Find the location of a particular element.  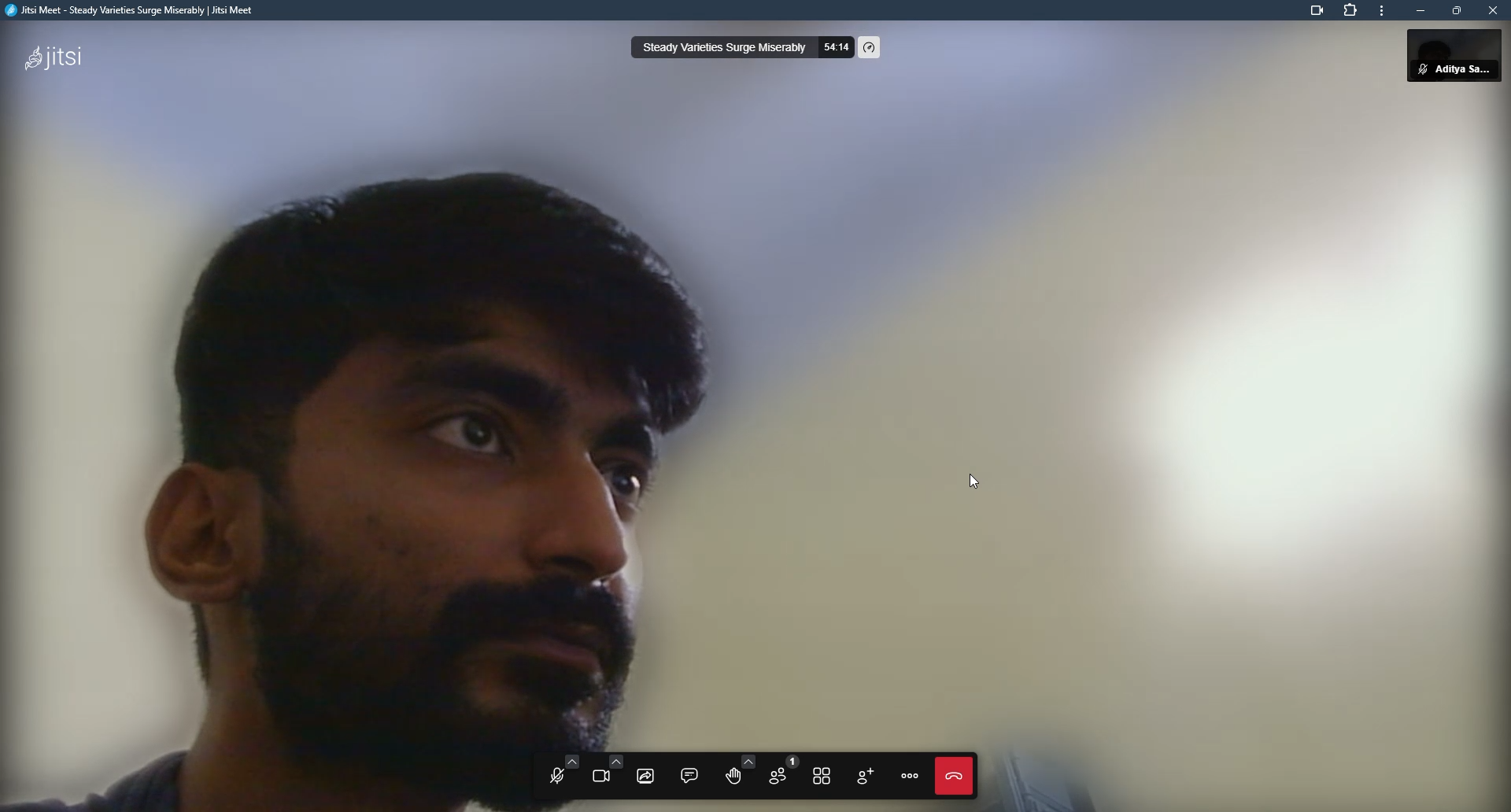

start camera is located at coordinates (604, 772).